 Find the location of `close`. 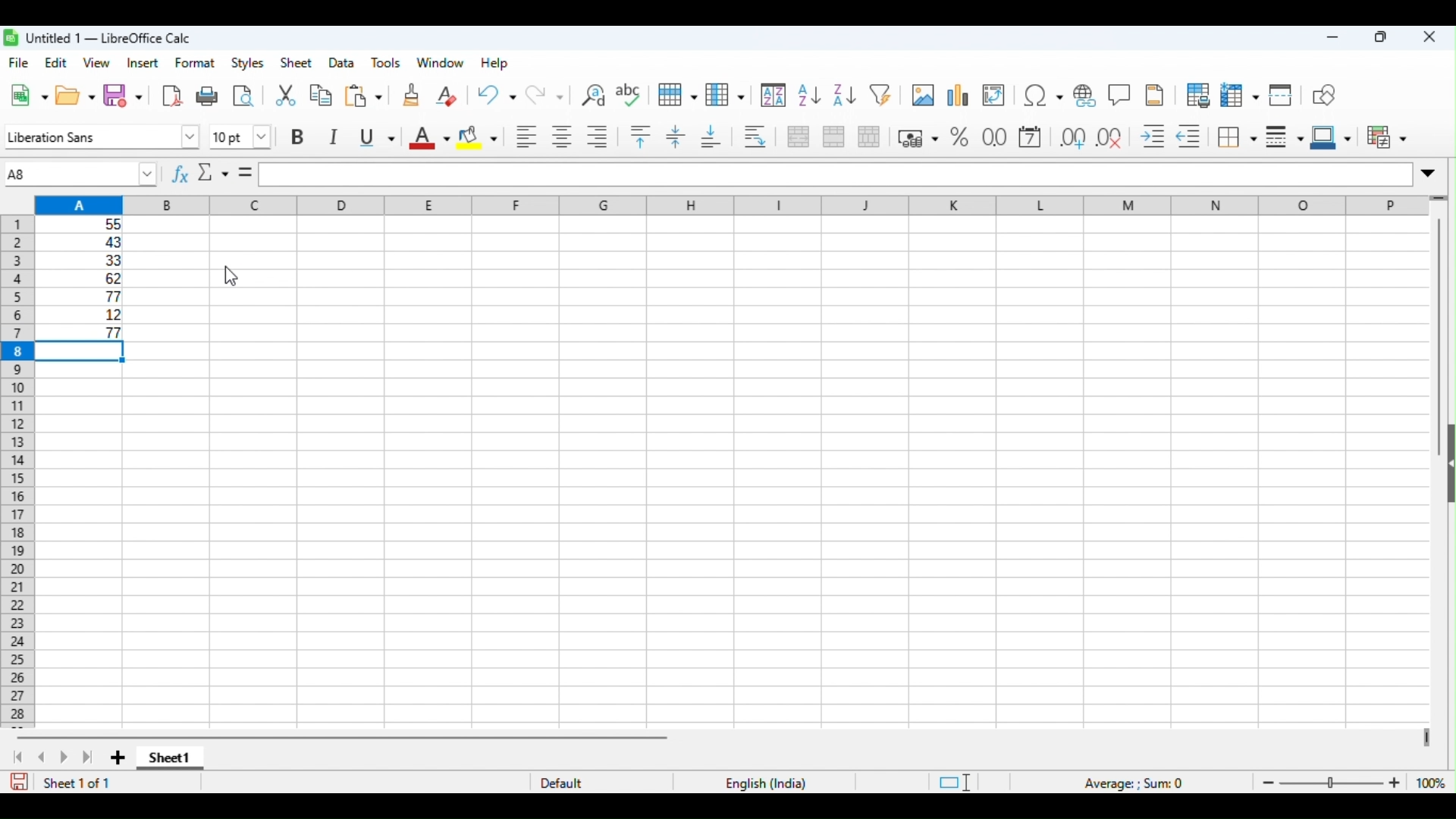

close is located at coordinates (1427, 37).